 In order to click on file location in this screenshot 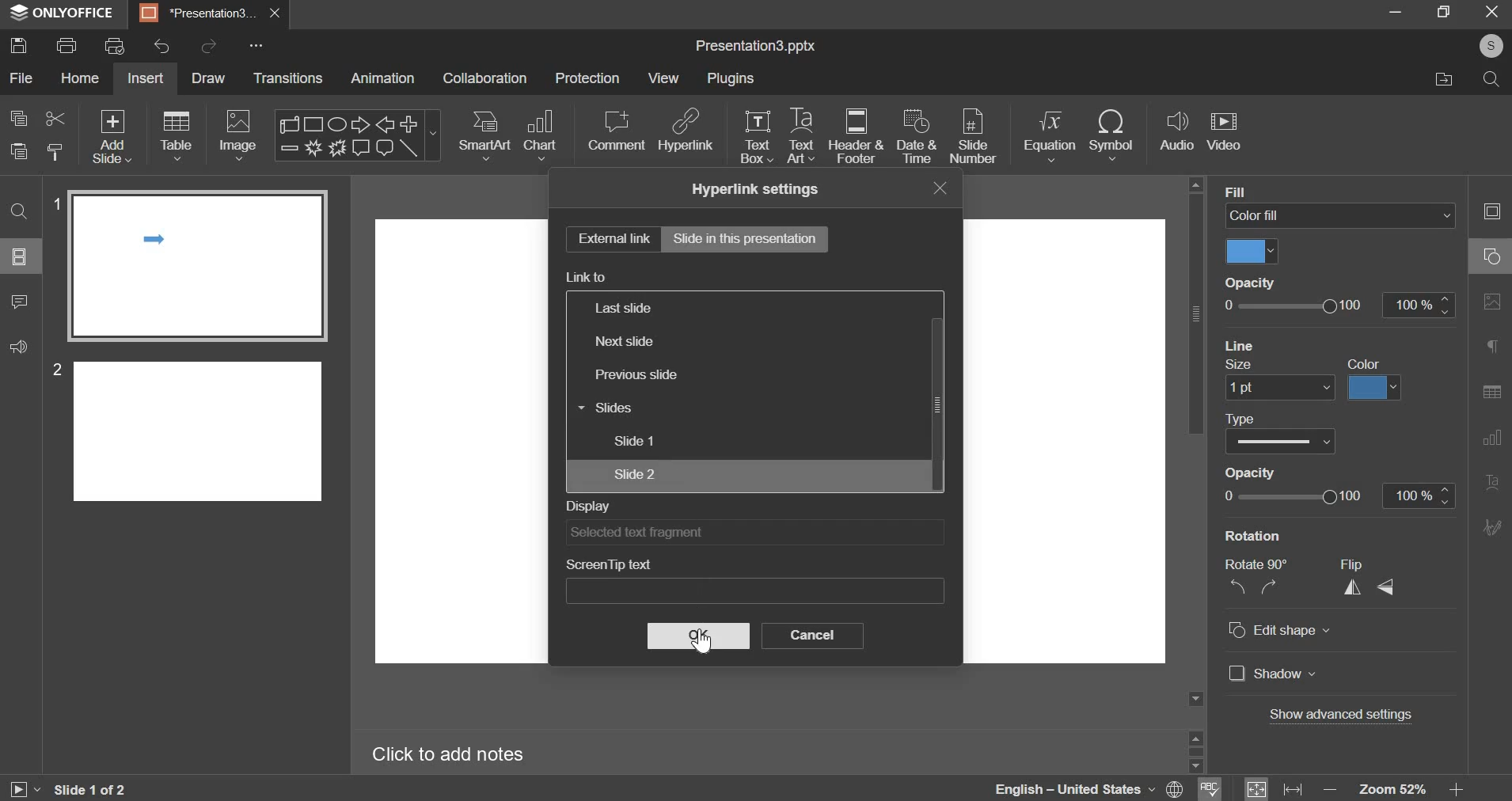, I will do `click(1442, 80)`.